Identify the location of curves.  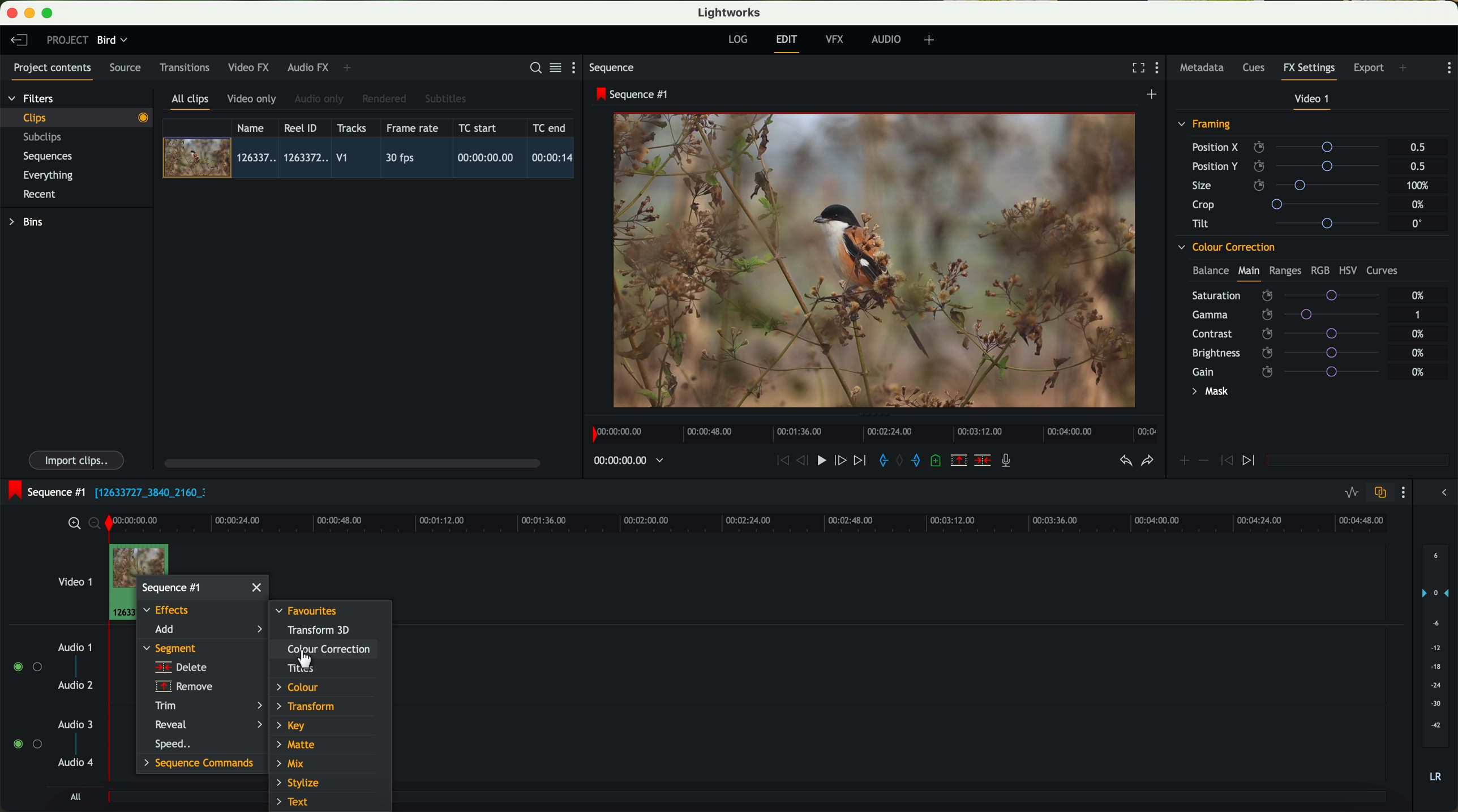
(1382, 271).